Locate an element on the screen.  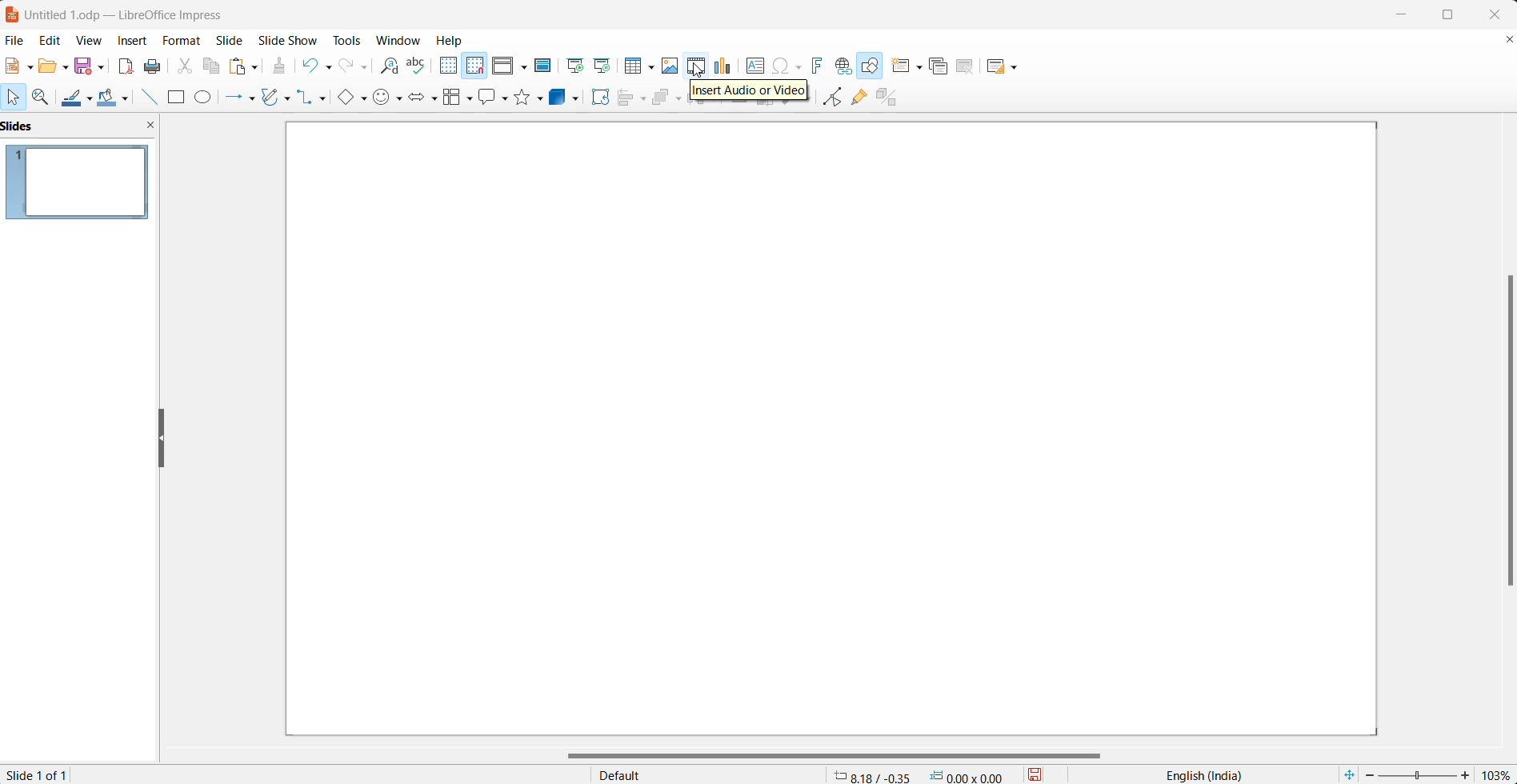
paste options dropdown button is located at coordinates (258, 66).